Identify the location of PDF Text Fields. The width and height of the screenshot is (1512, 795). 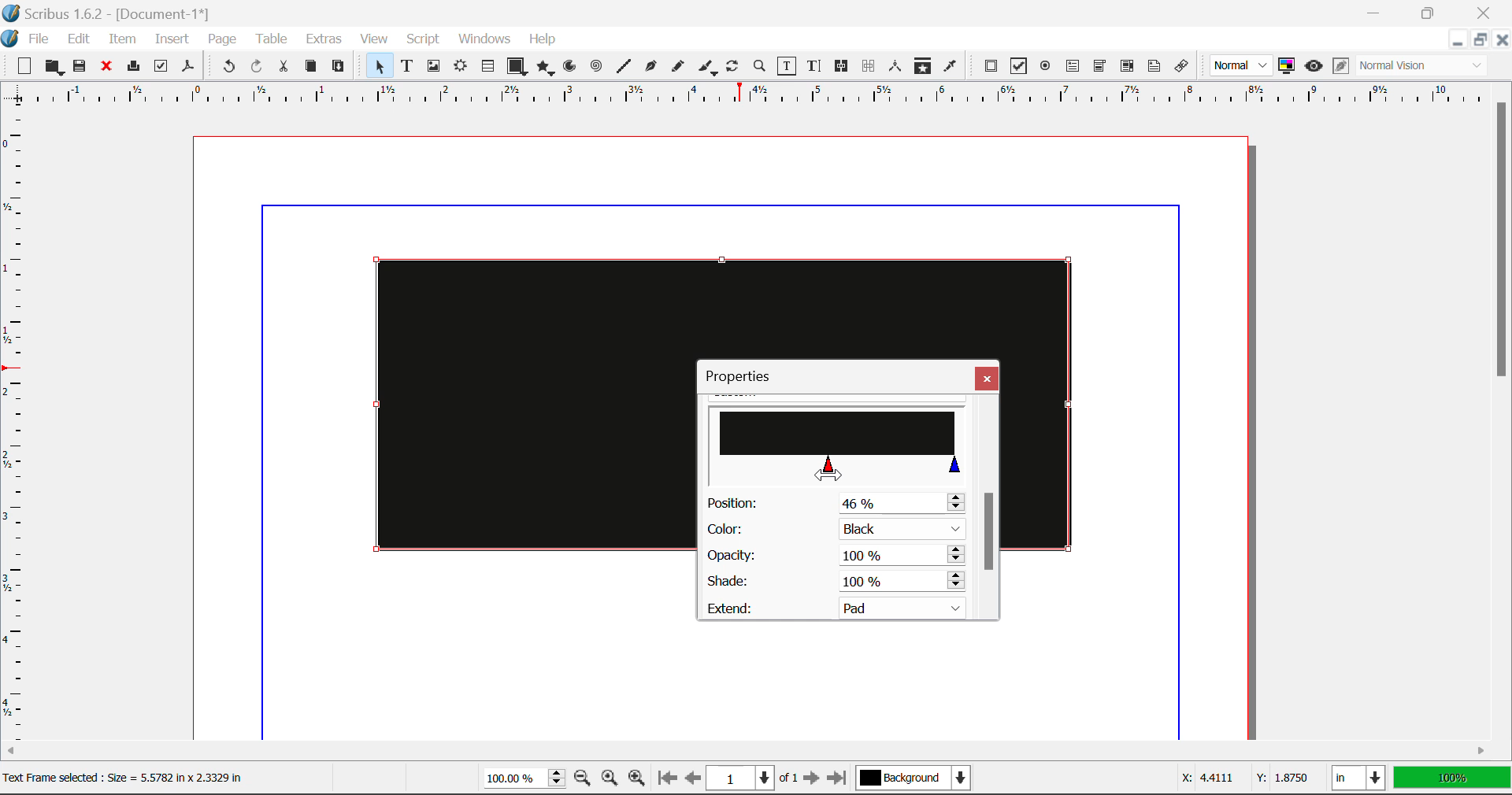
(1073, 66).